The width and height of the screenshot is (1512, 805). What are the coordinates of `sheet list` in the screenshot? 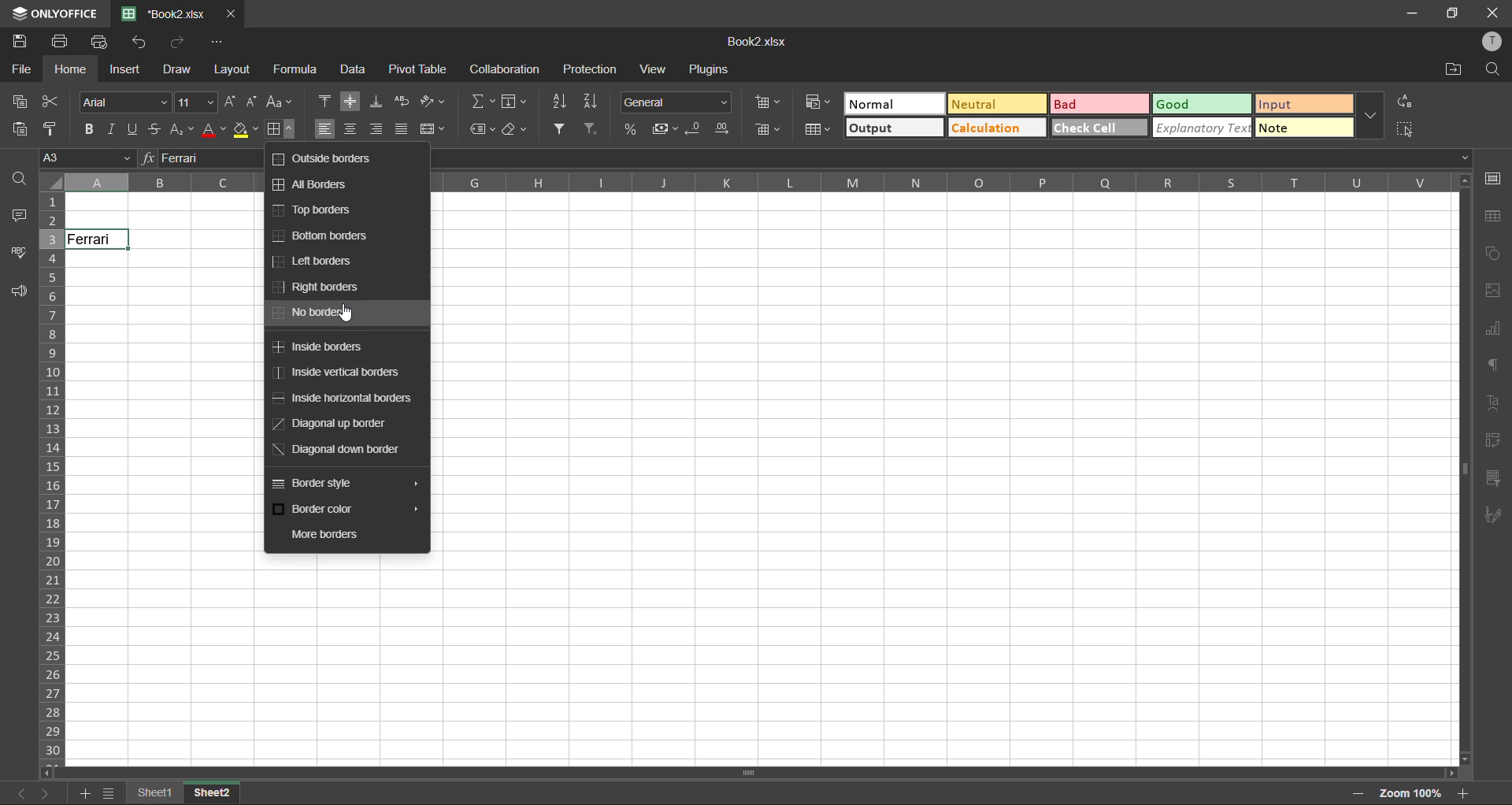 It's located at (109, 793).